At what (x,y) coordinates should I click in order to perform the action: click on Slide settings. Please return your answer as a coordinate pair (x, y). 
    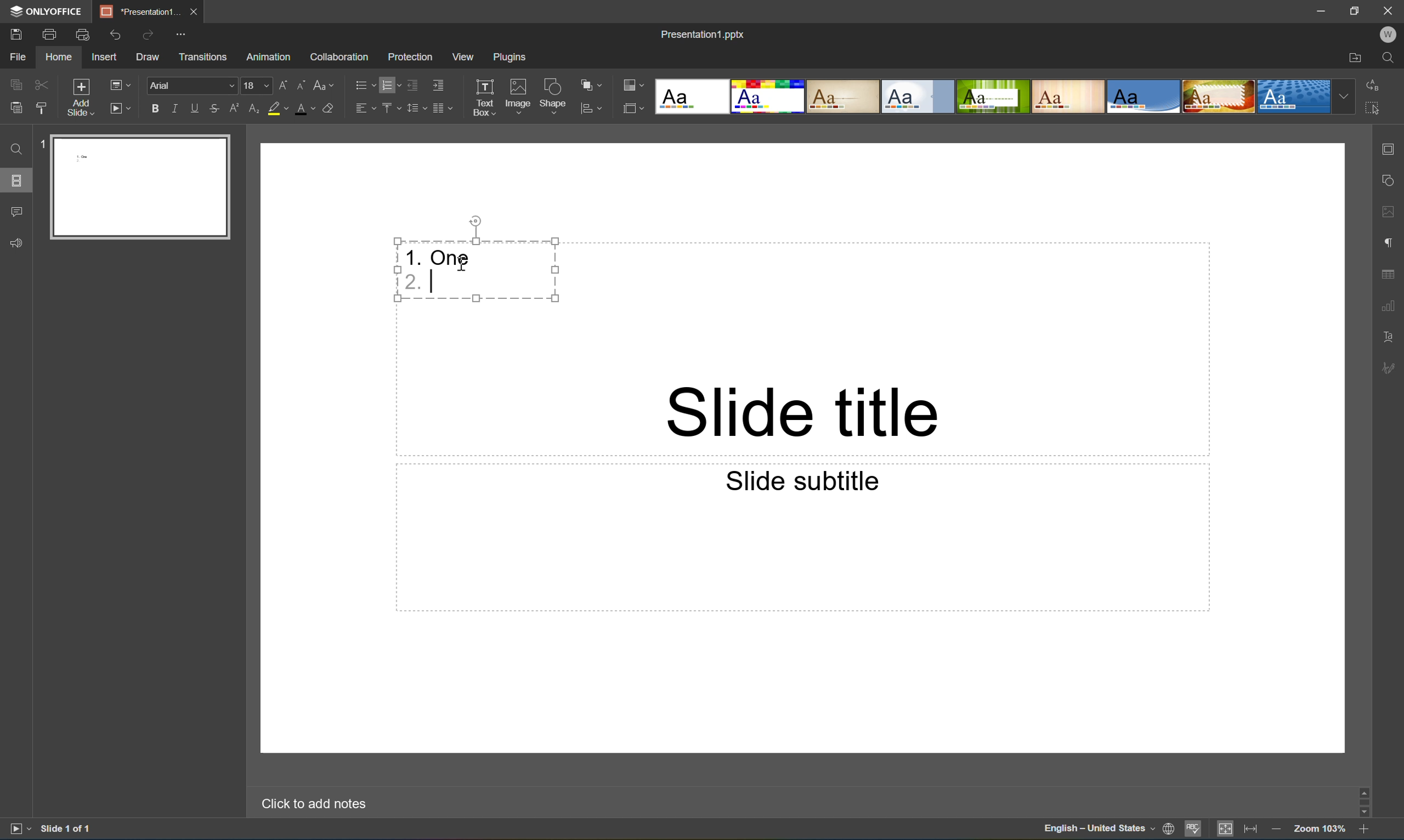
    Looking at the image, I should click on (1392, 149).